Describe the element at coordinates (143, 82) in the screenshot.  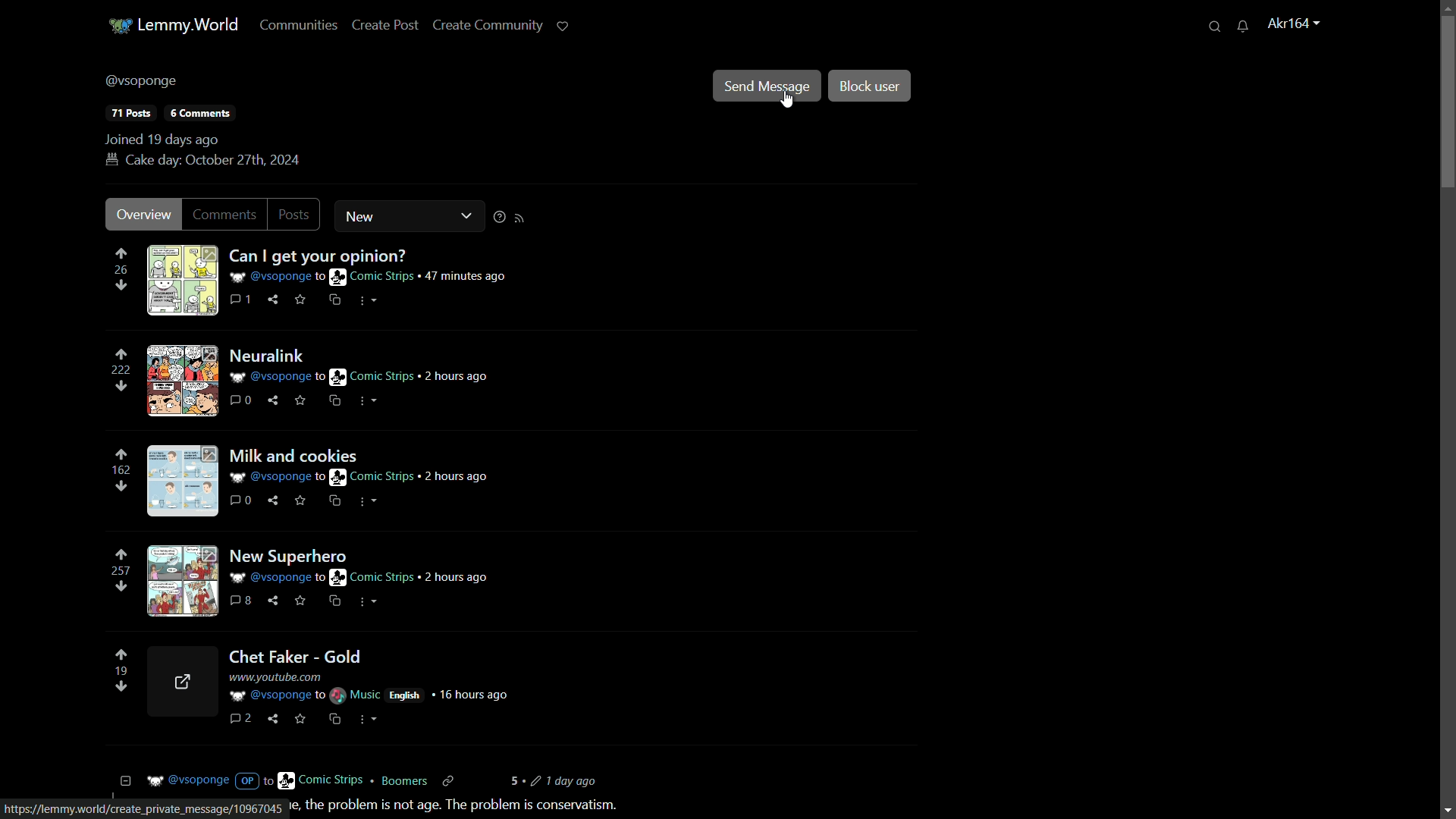
I see `username` at that location.